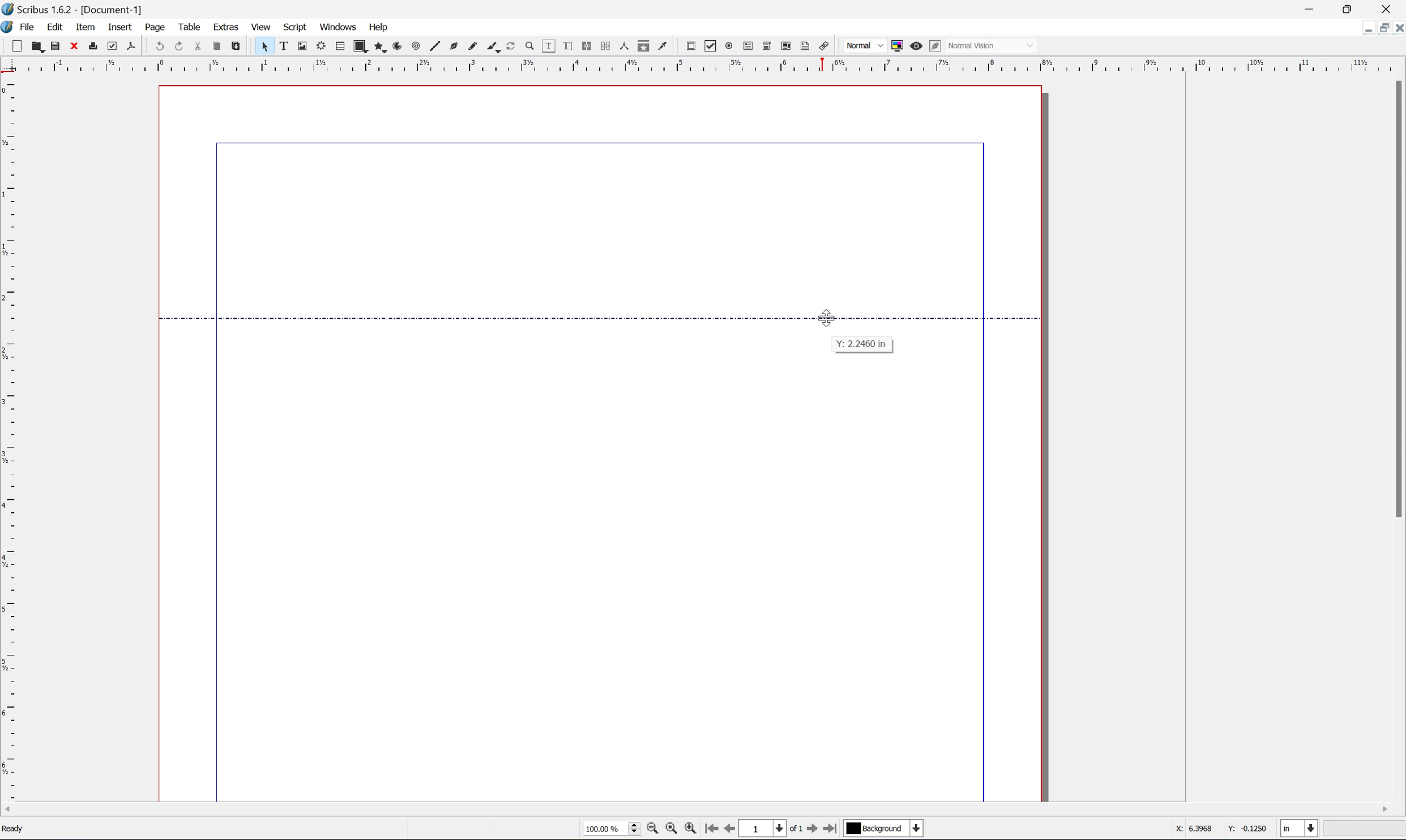 The width and height of the screenshot is (1406, 840). What do you see at coordinates (378, 46) in the screenshot?
I see `polygon` at bounding box center [378, 46].